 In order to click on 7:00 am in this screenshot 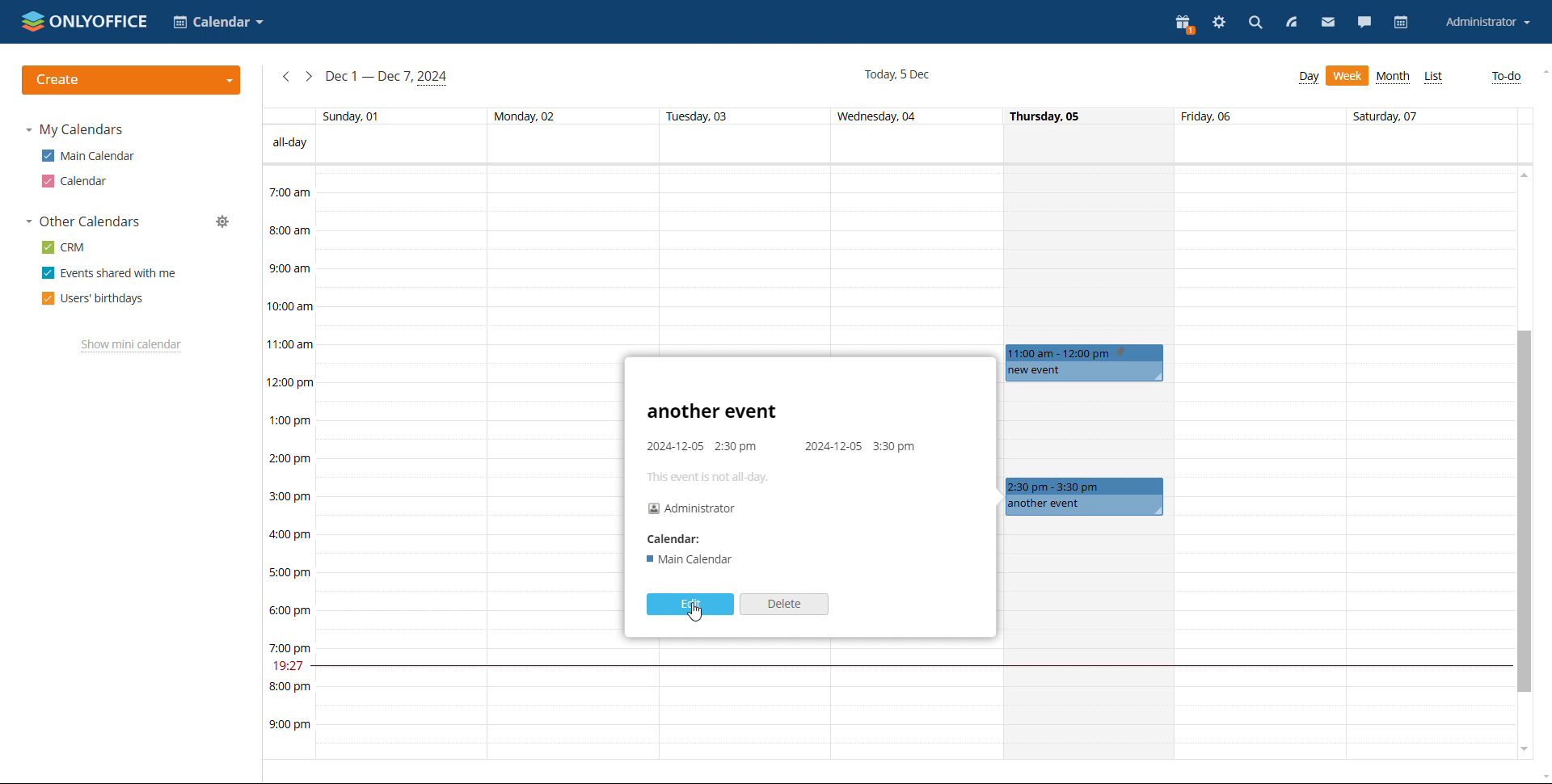, I will do `click(290, 194)`.